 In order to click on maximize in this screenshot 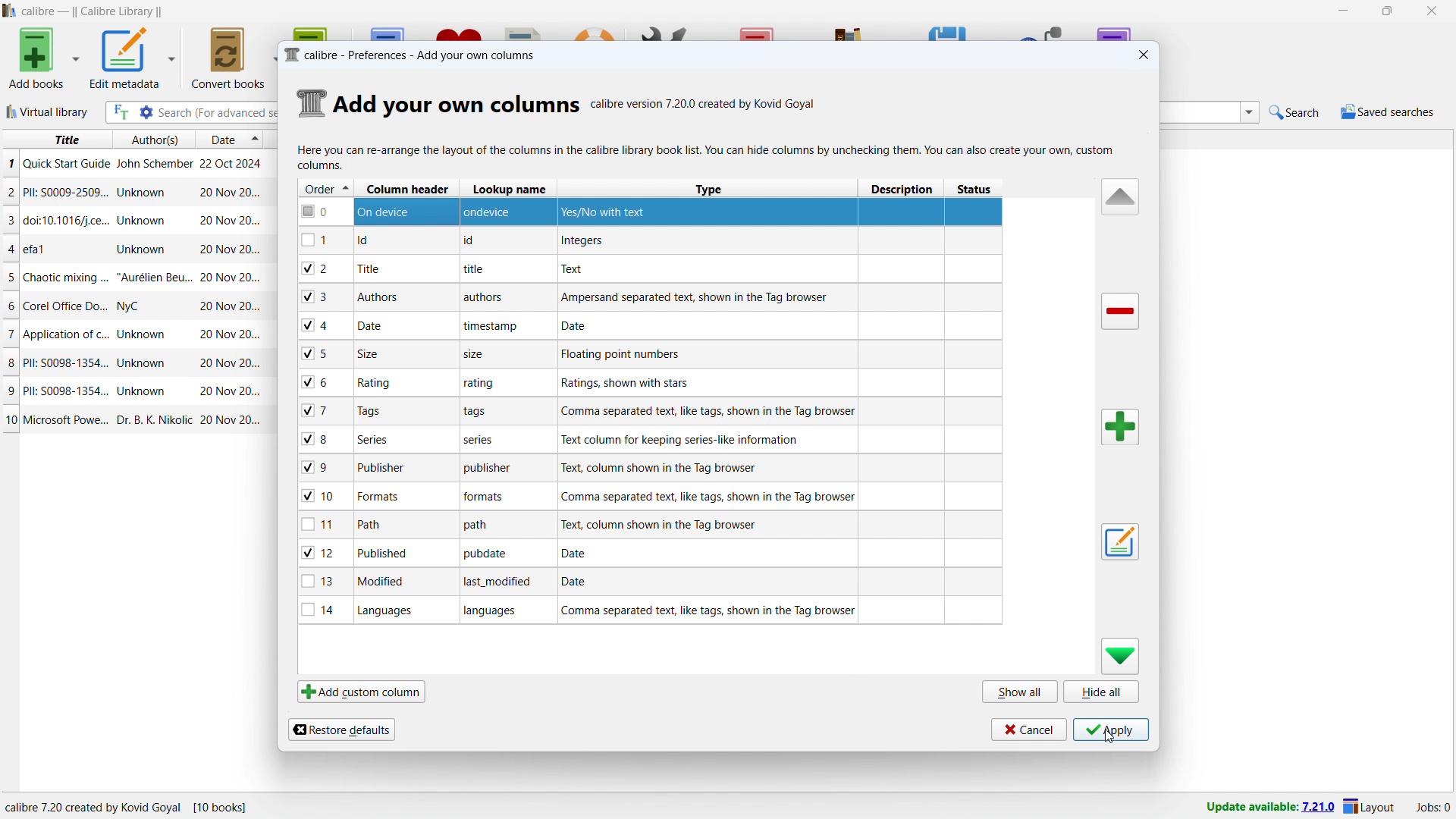, I will do `click(1388, 11)`.